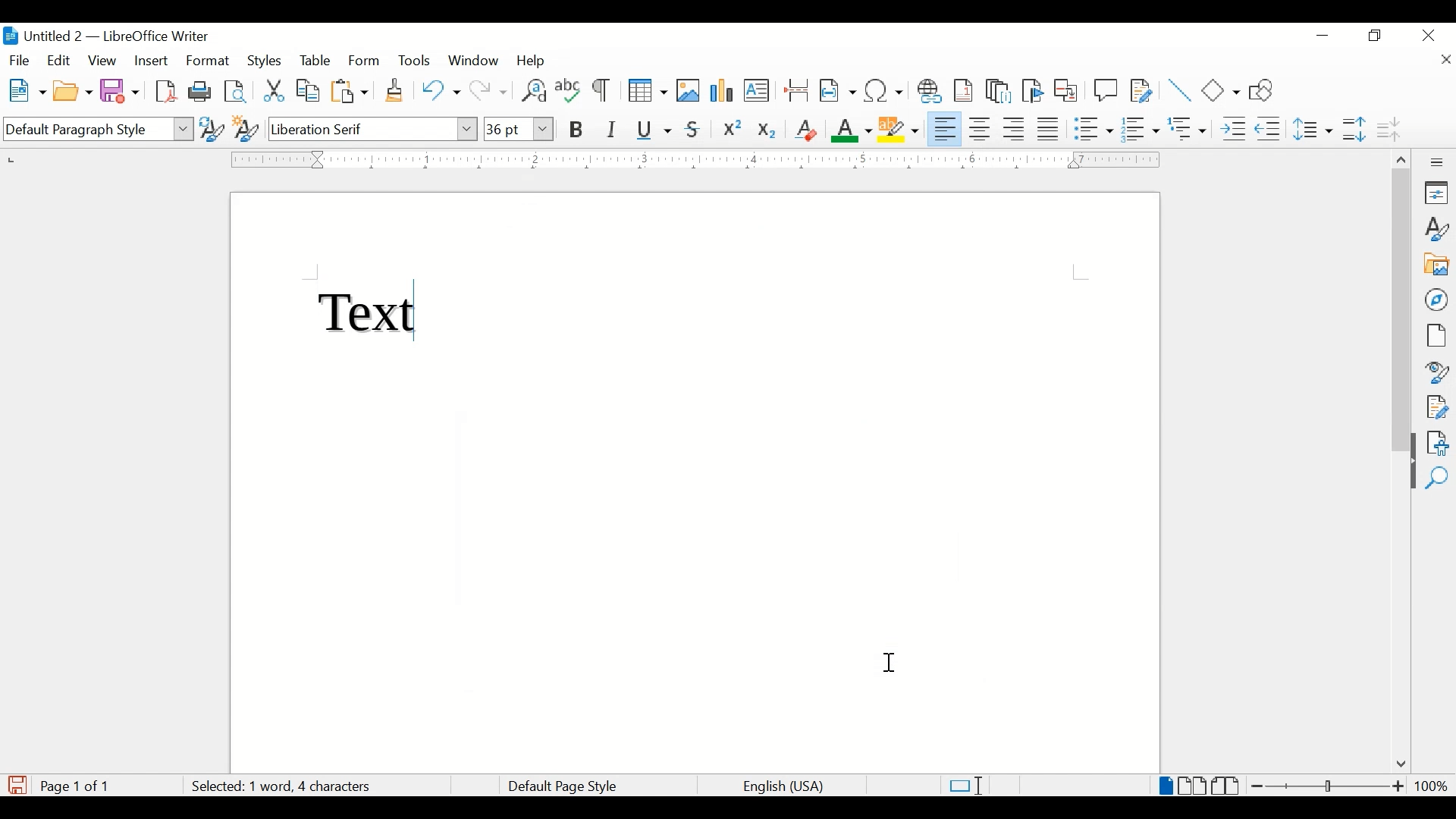  I want to click on copy, so click(309, 91).